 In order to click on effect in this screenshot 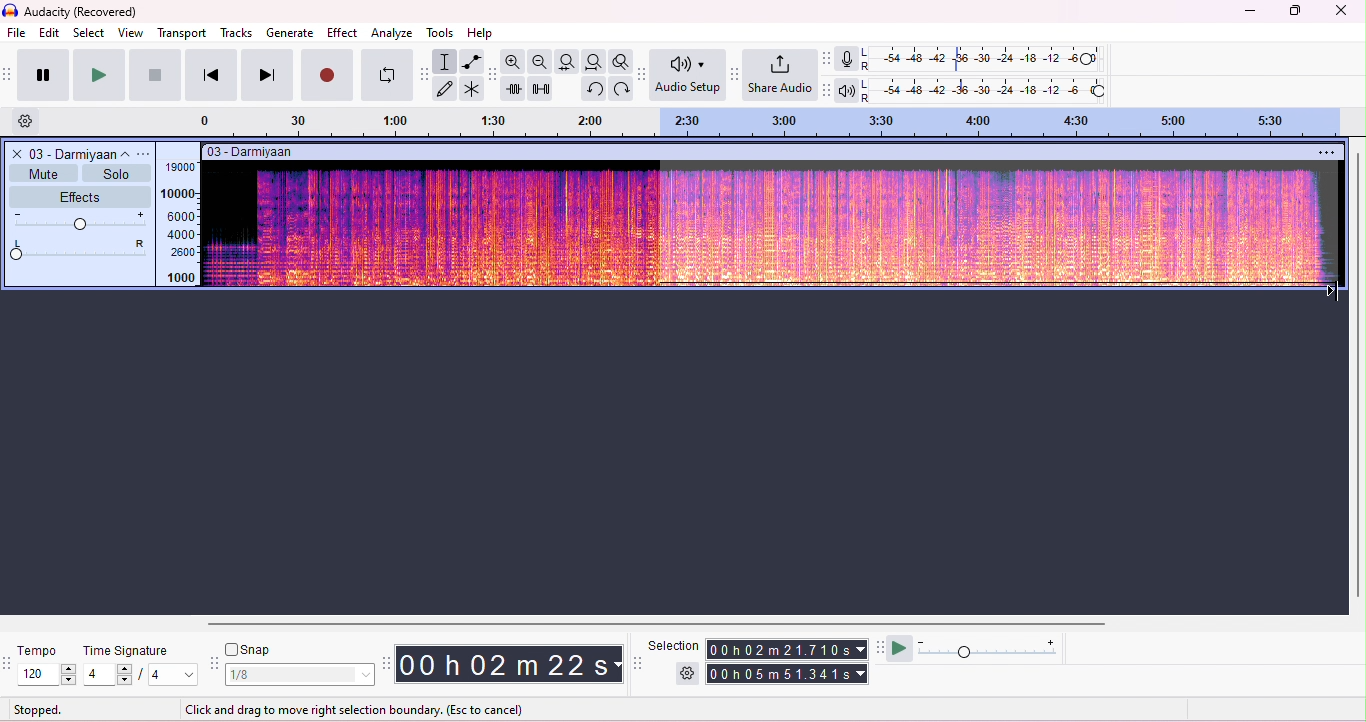, I will do `click(342, 34)`.